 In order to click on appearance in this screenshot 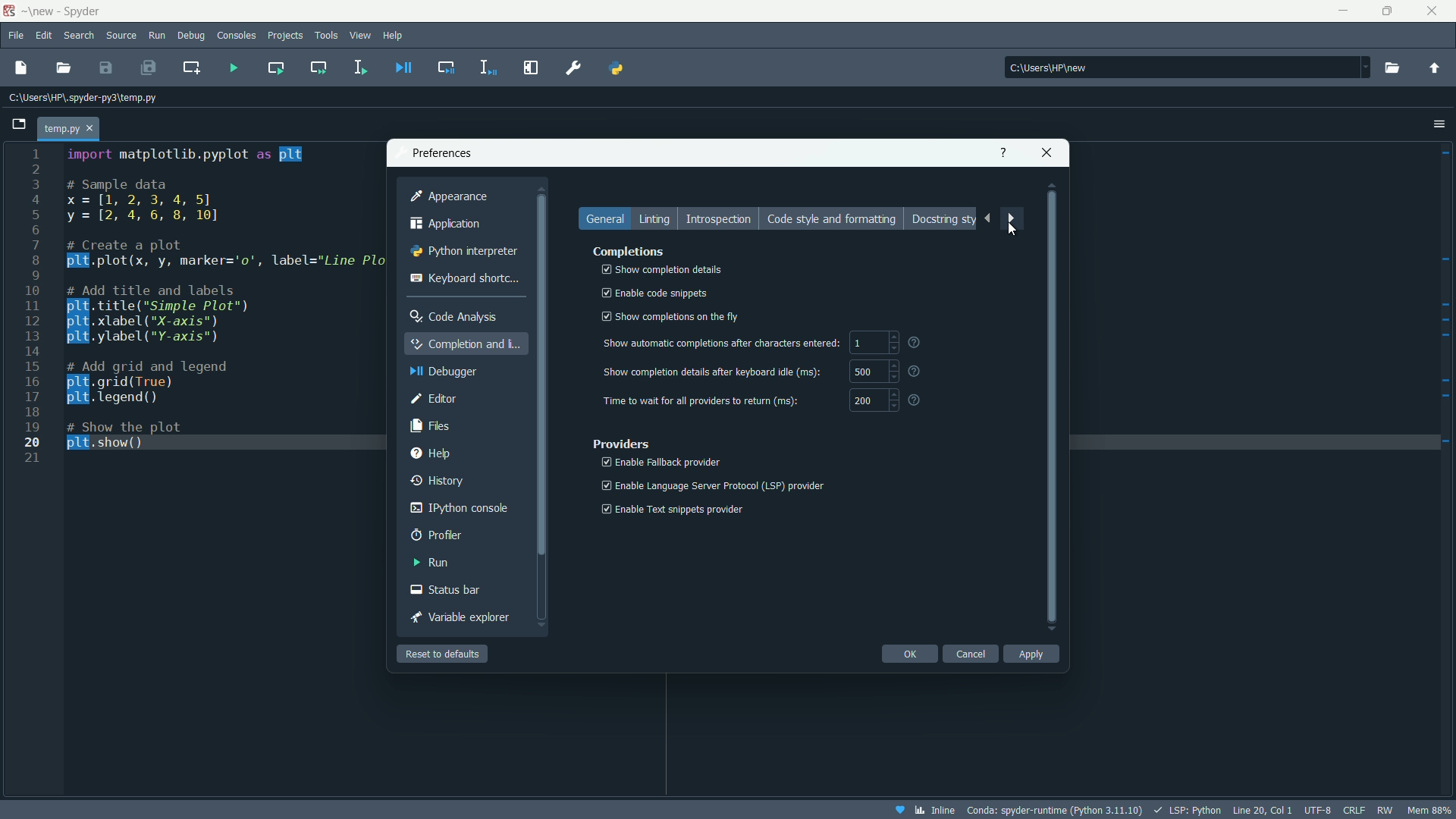, I will do `click(448, 196)`.